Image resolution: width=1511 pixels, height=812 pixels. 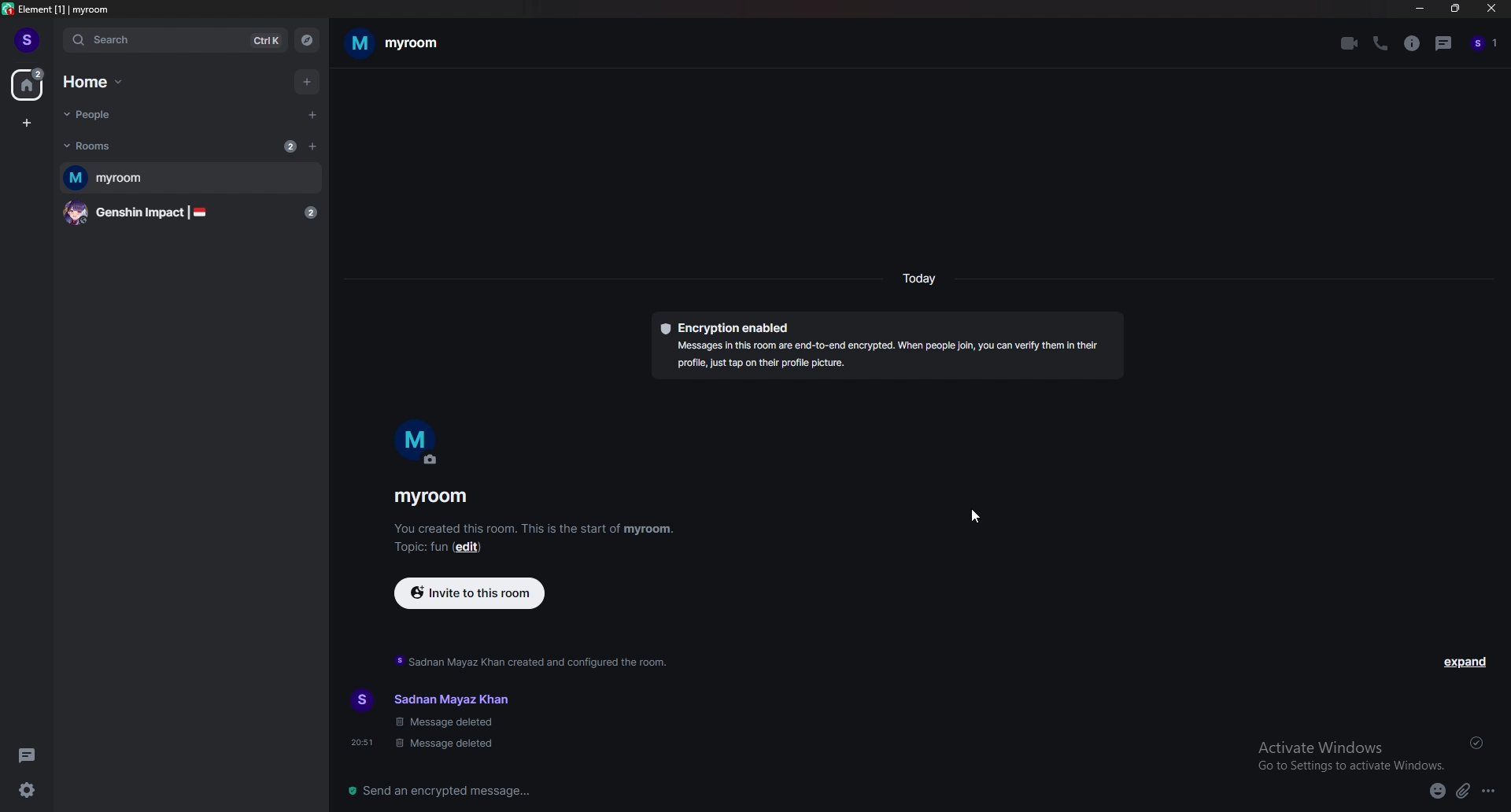 I want to click on sent, so click(x=1476, y=742).